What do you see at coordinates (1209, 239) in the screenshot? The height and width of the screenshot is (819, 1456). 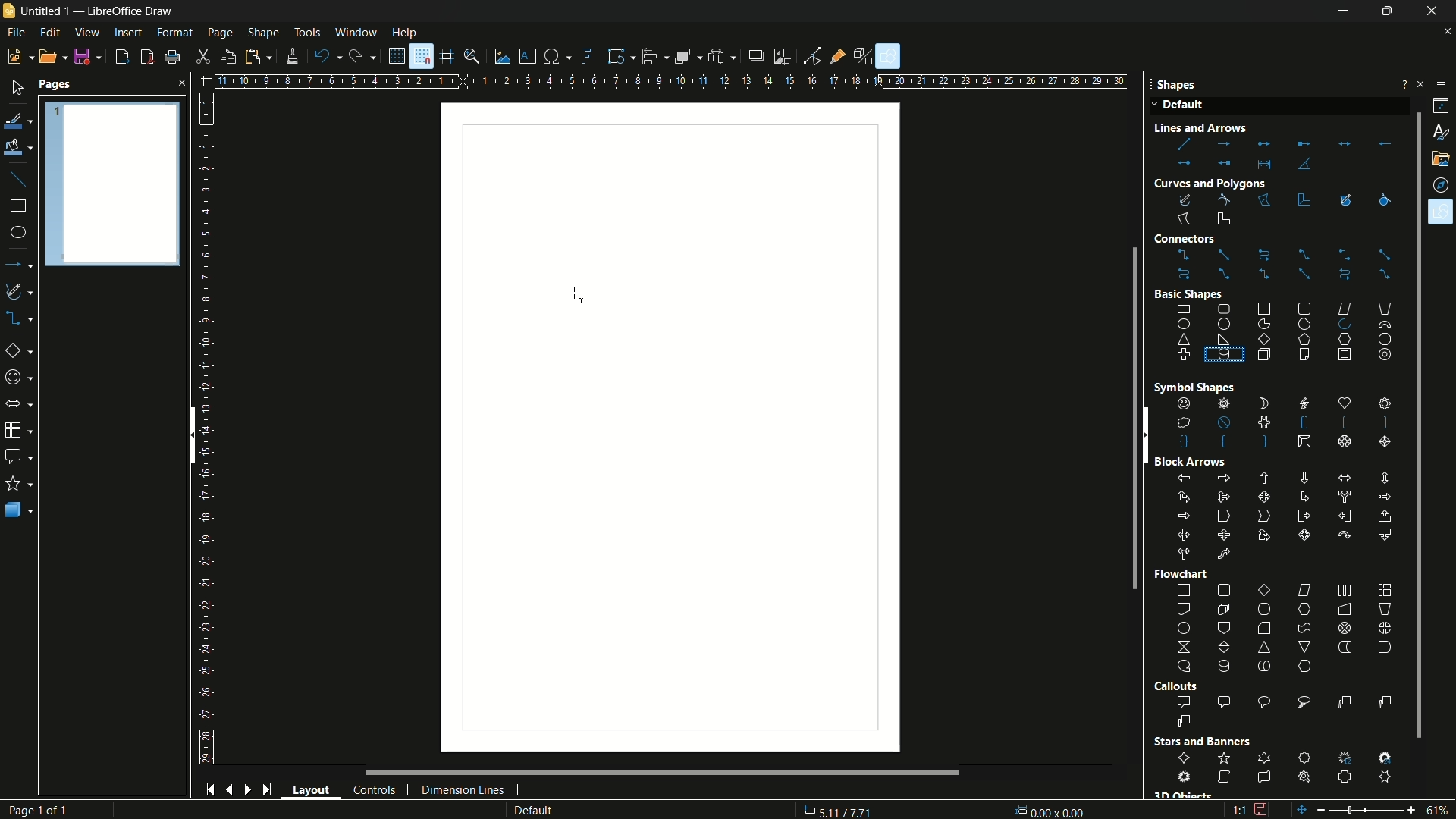 I see `Connectors` at bounding box center [1209, 239].